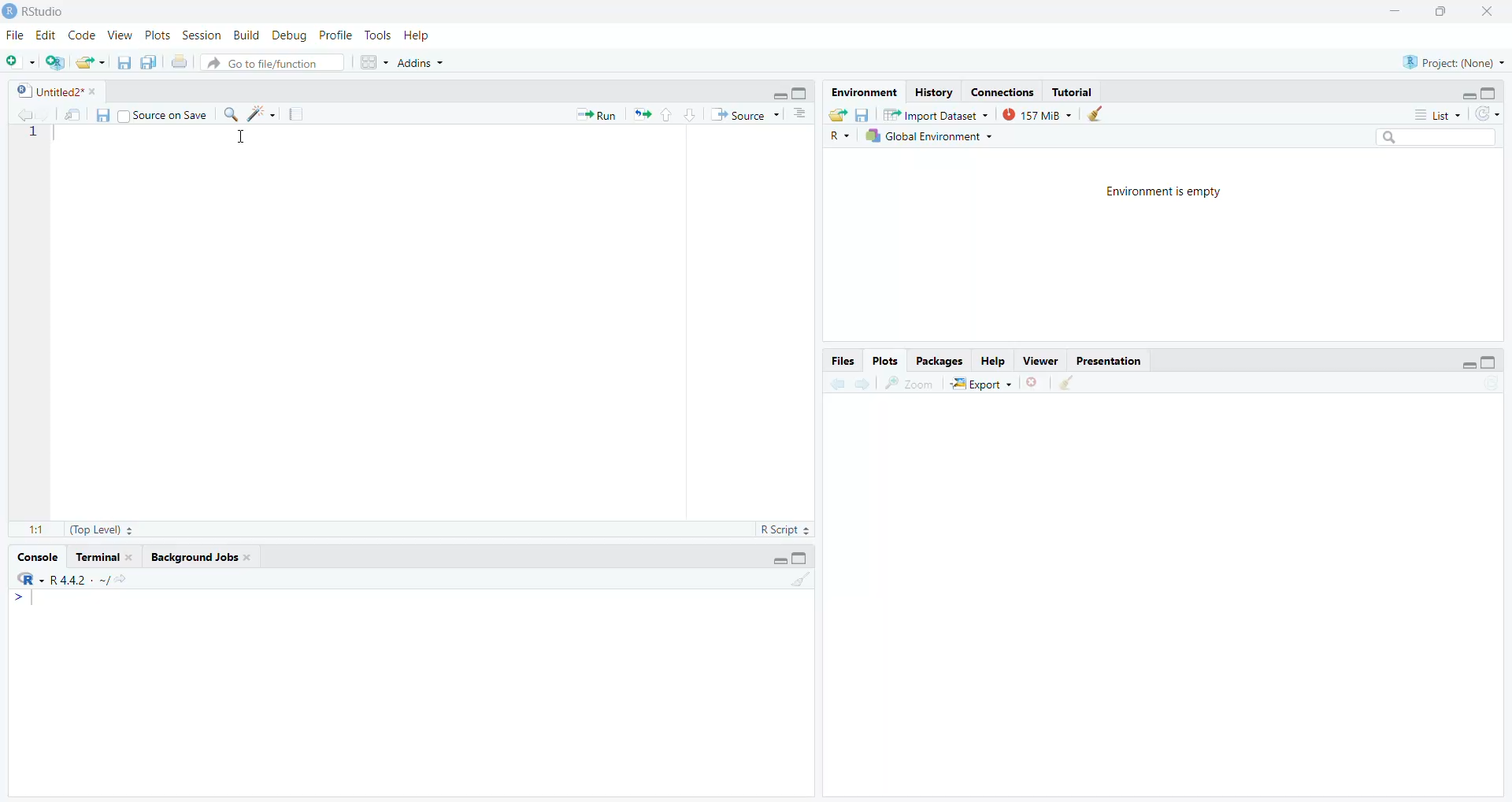 The height and width of the screenshot is (802, 1512). I want to click on 1:1, so click(39, 529).